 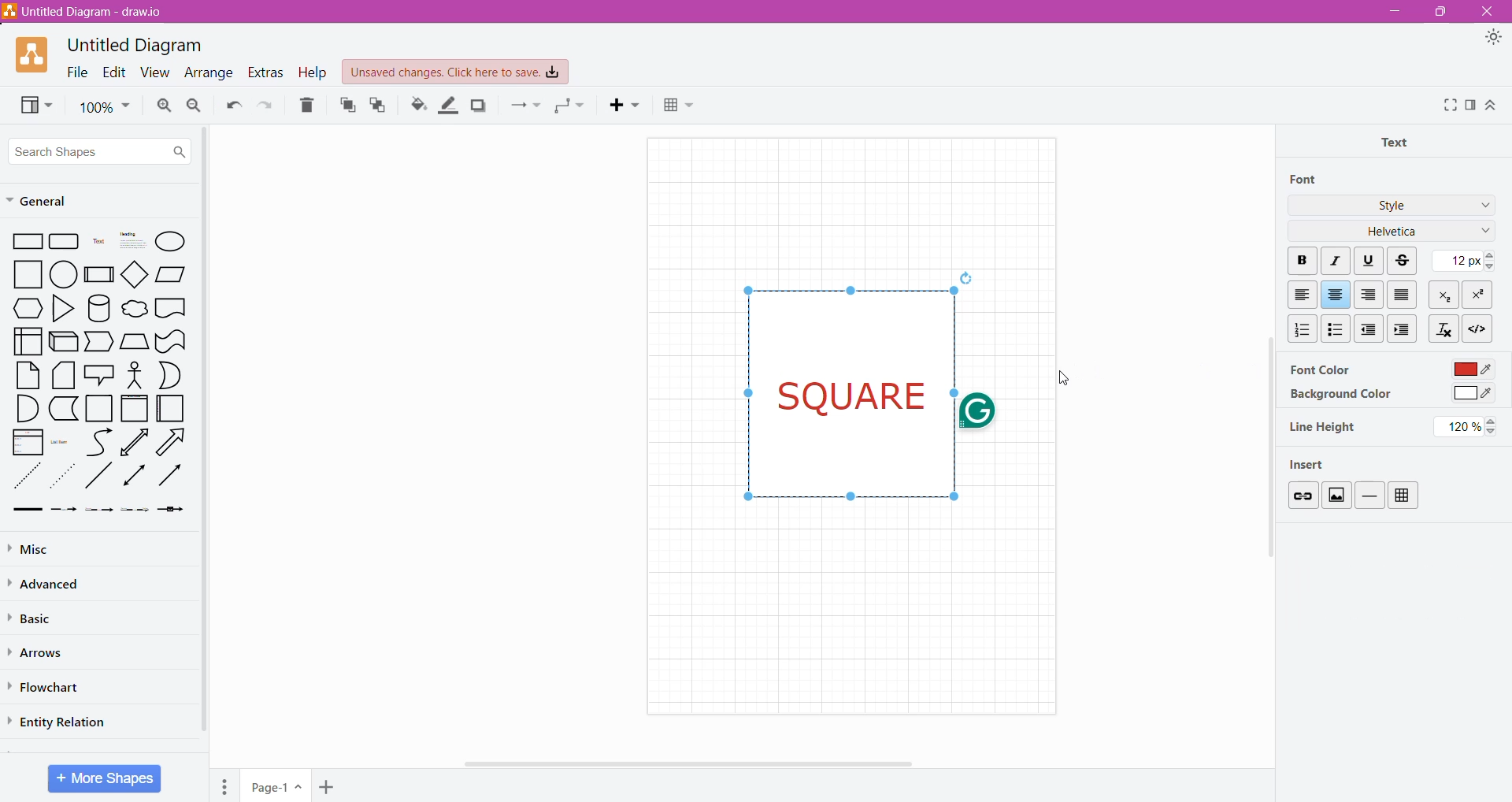 What do you see at coordinates (961, 277) in the screenshot?
I see `reload` at bounding box center [961, 277].